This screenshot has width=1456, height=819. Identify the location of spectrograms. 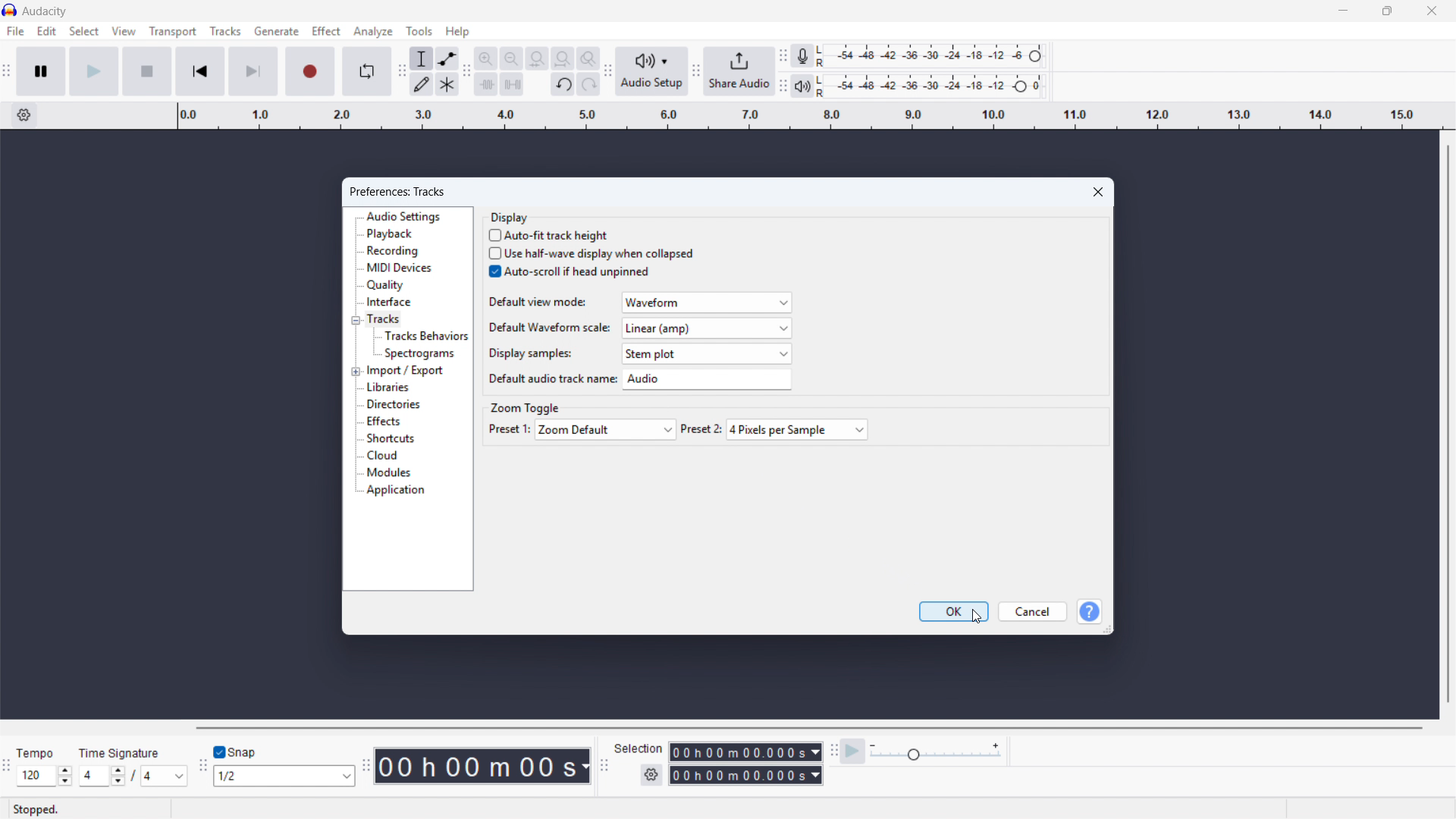
(420, 353).